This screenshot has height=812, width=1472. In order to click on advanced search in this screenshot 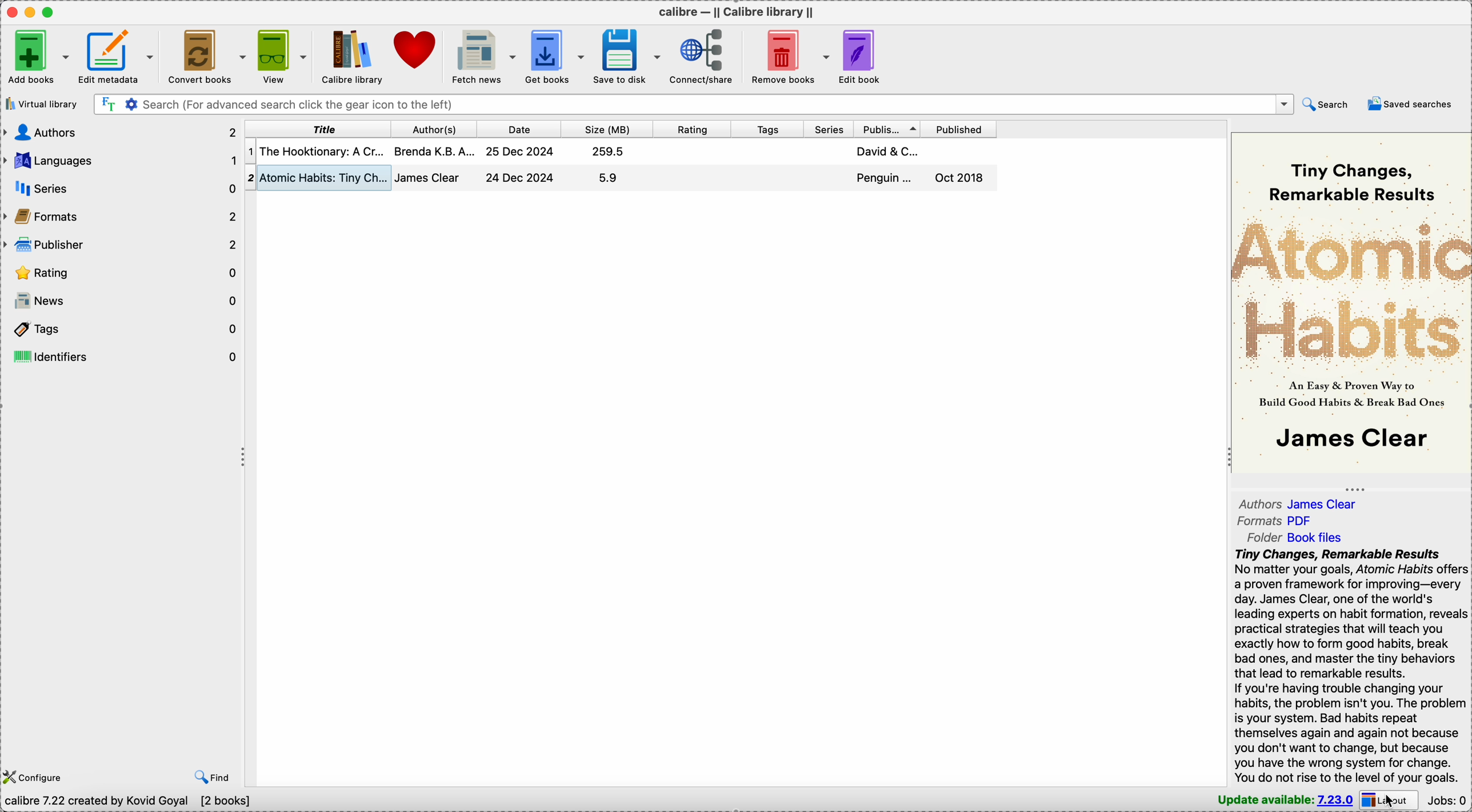, I will do `click(130, 105)`.